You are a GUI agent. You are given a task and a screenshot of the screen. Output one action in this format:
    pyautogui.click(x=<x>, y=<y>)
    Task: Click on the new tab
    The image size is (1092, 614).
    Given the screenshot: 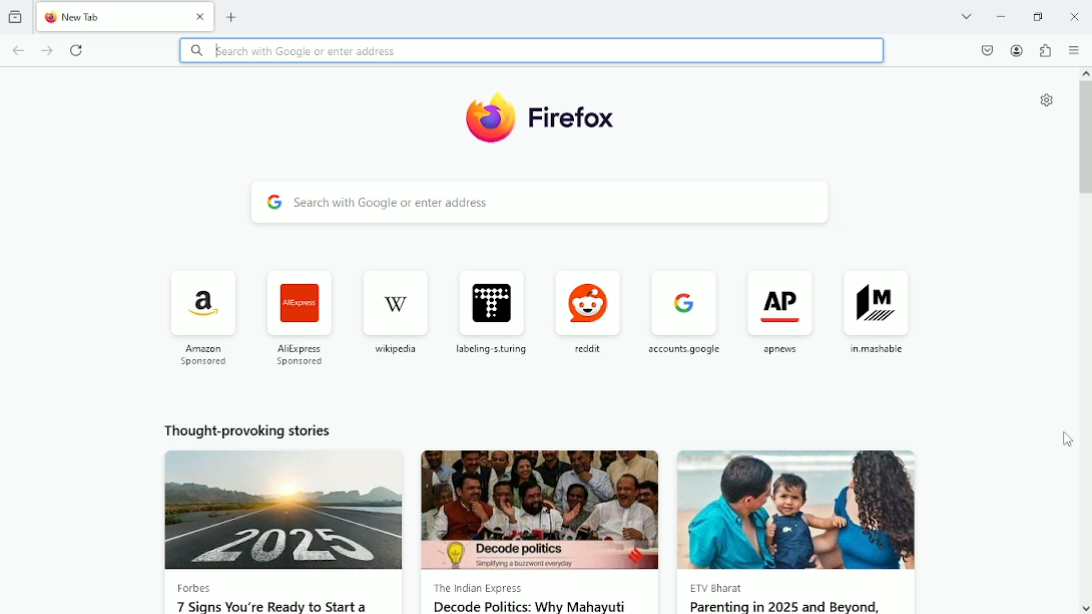 What is the action you would take?
    pyautogui.click(x=232, y=16)
    